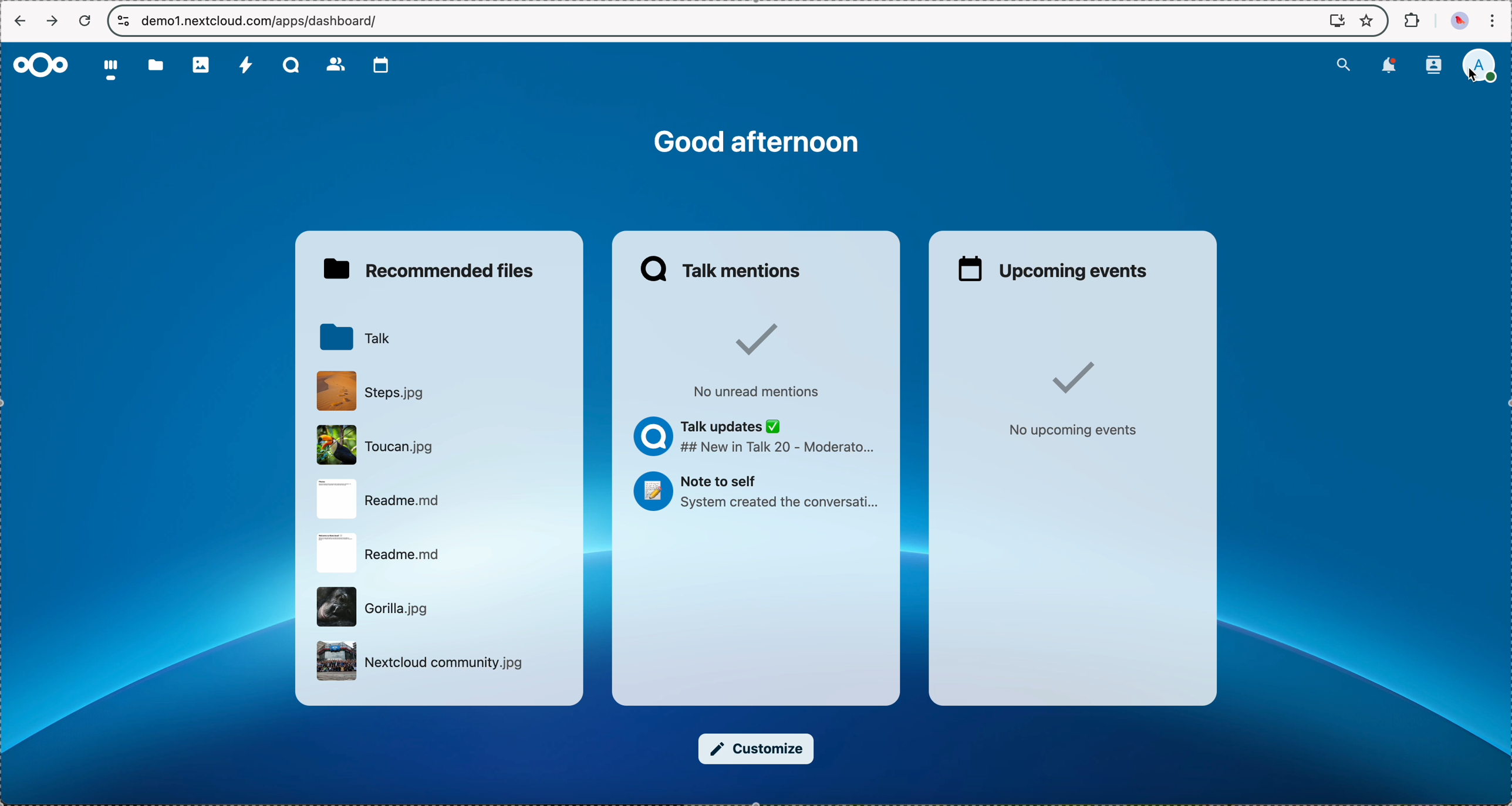 This screenshot has height=806, width=1512. Describe the element at coordinates (1072, 398) in the screenshot. I see `no upcoming events` at that location.